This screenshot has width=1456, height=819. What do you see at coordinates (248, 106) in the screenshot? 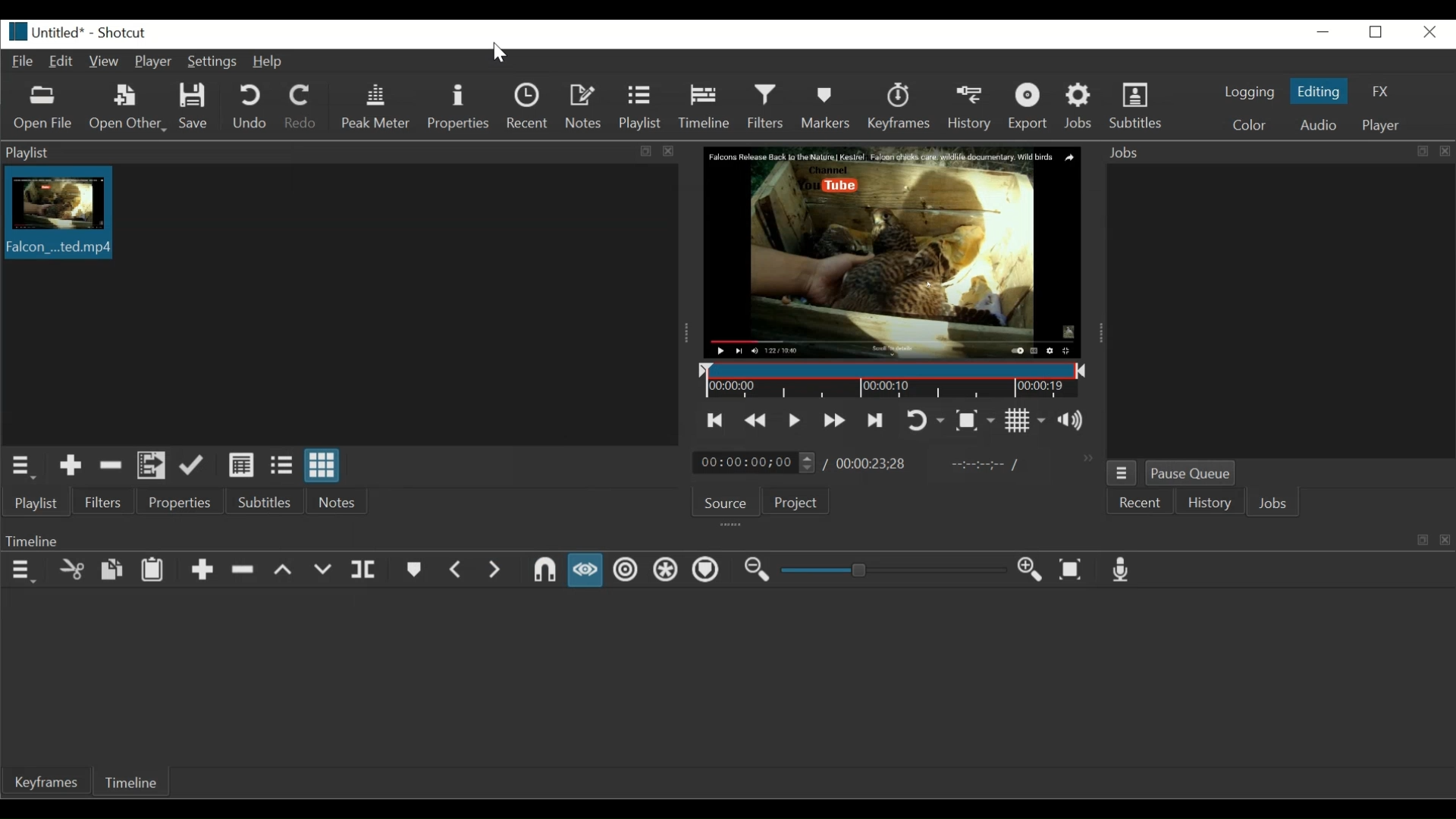
I see `Undo` at bounding box center [248, 106].